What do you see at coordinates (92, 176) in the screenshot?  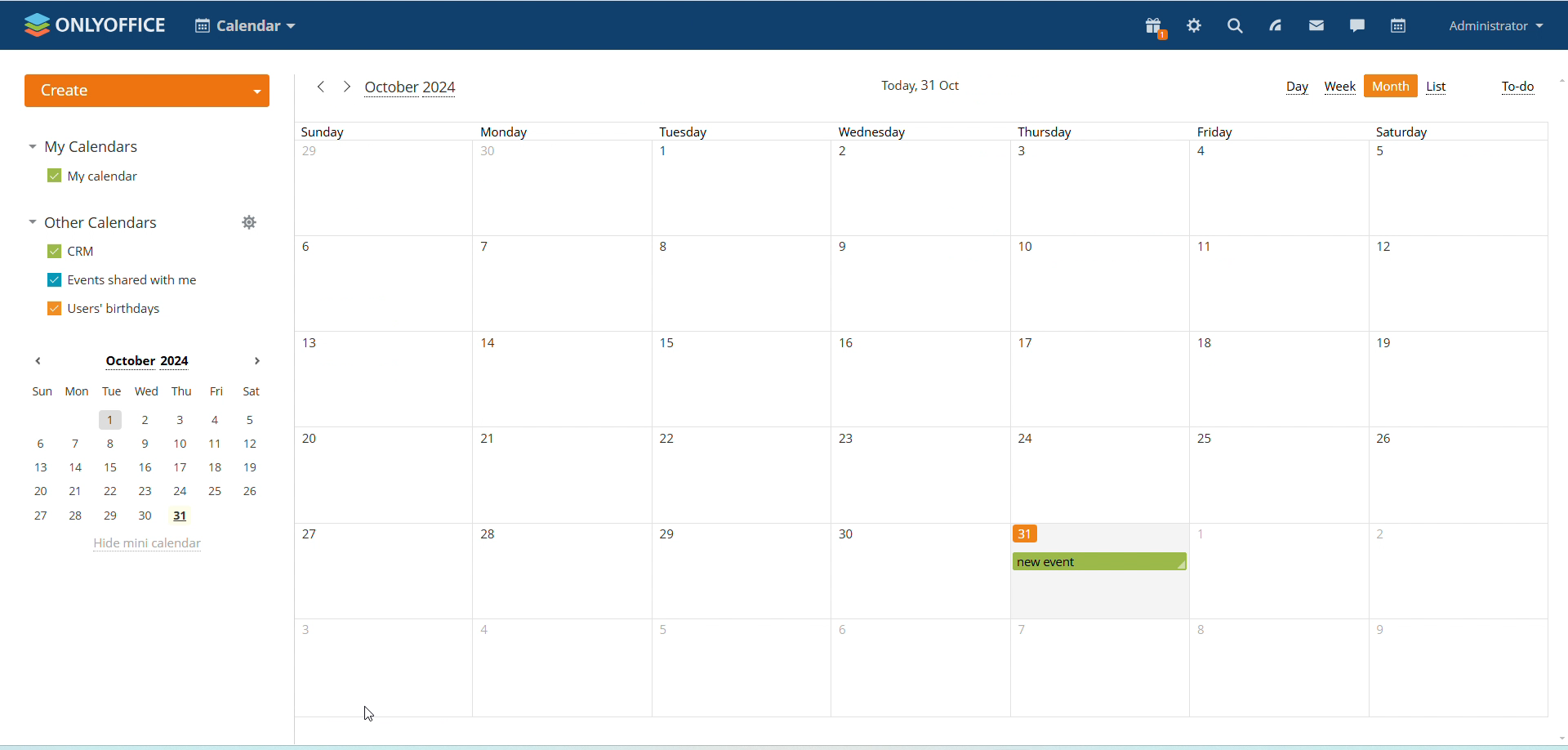 I see `my calendar` at bounding box center [92, 176].